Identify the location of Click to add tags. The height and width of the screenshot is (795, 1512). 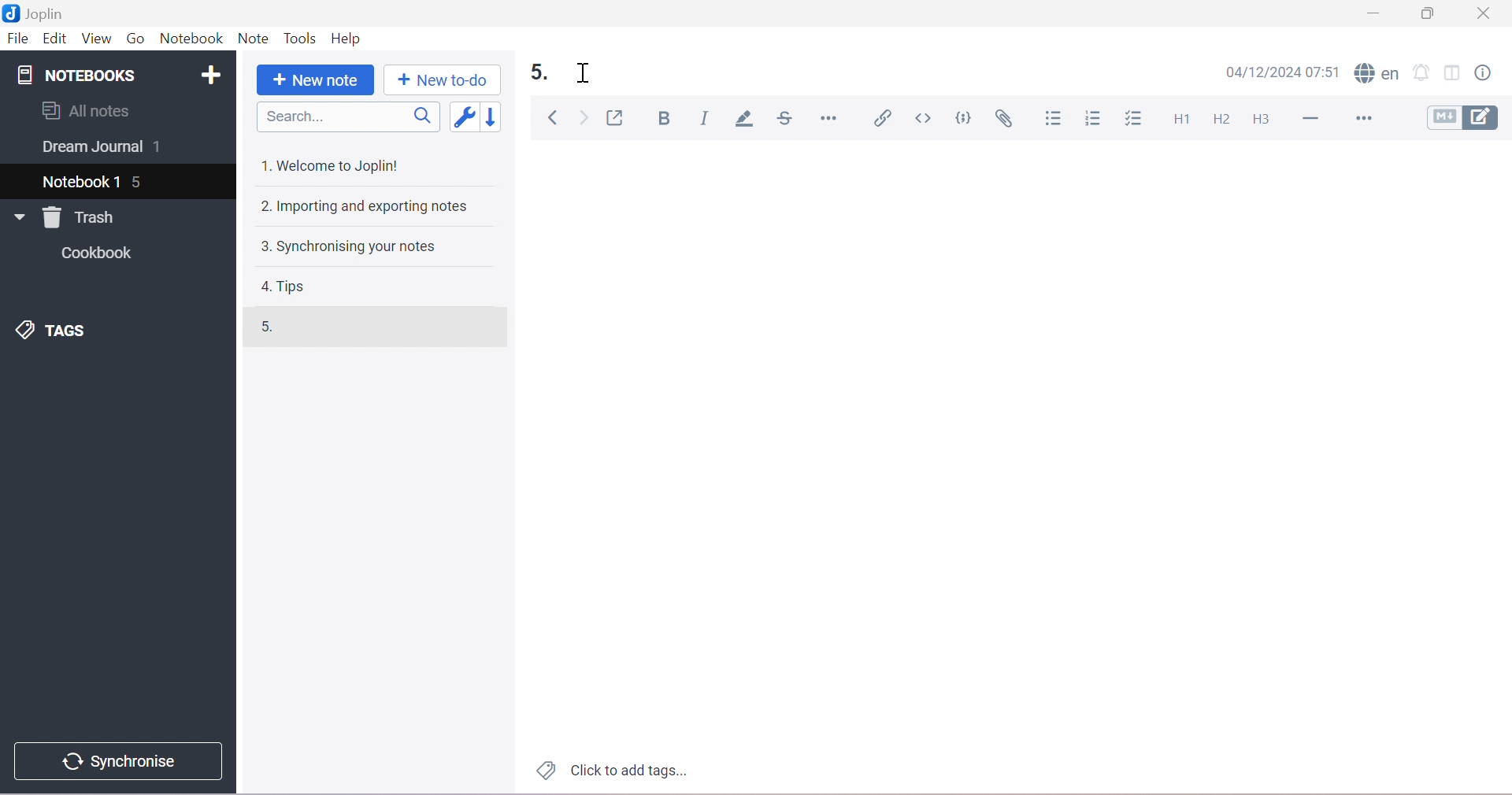
(609, 771).